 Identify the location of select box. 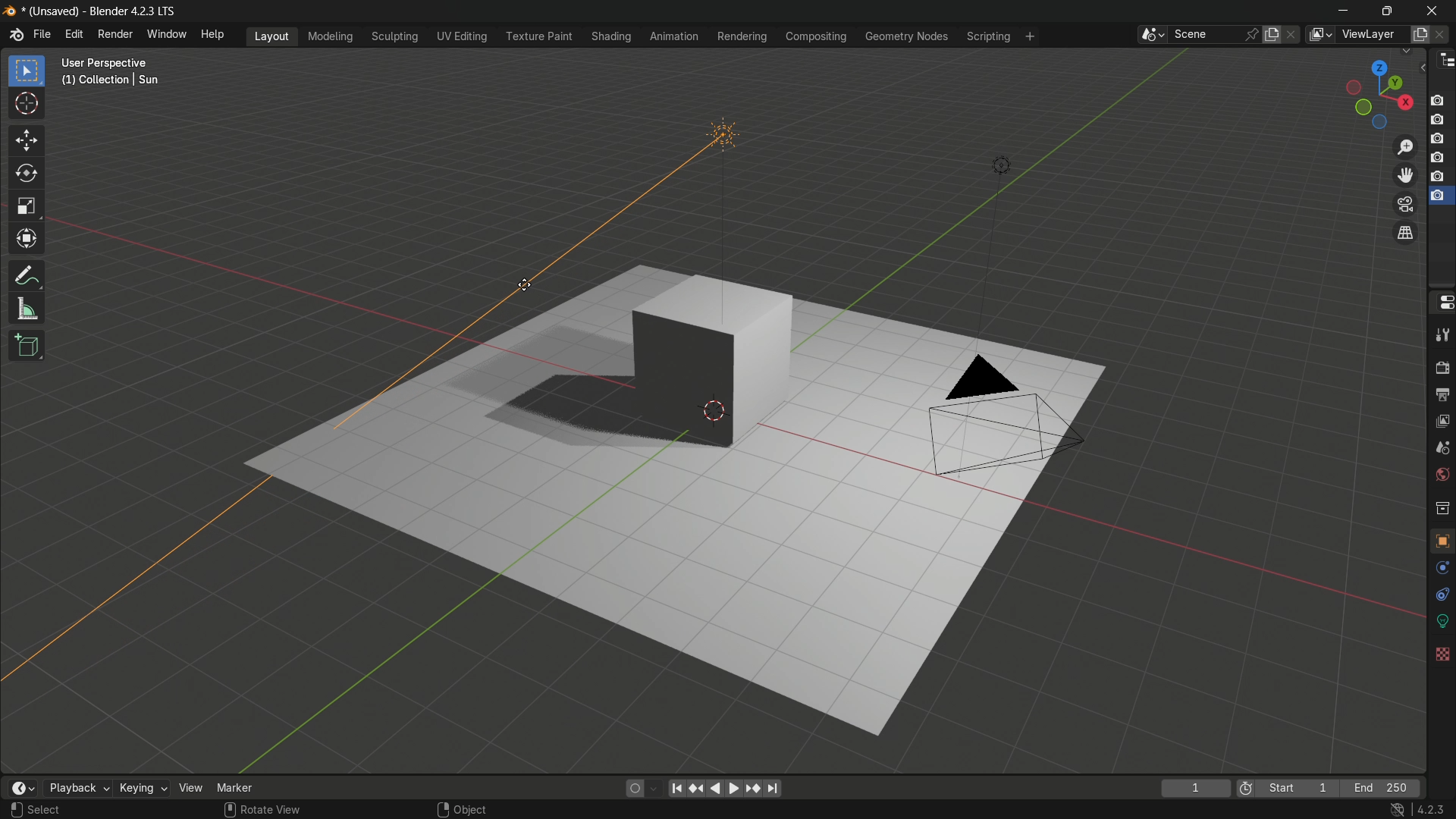
(27, 71).